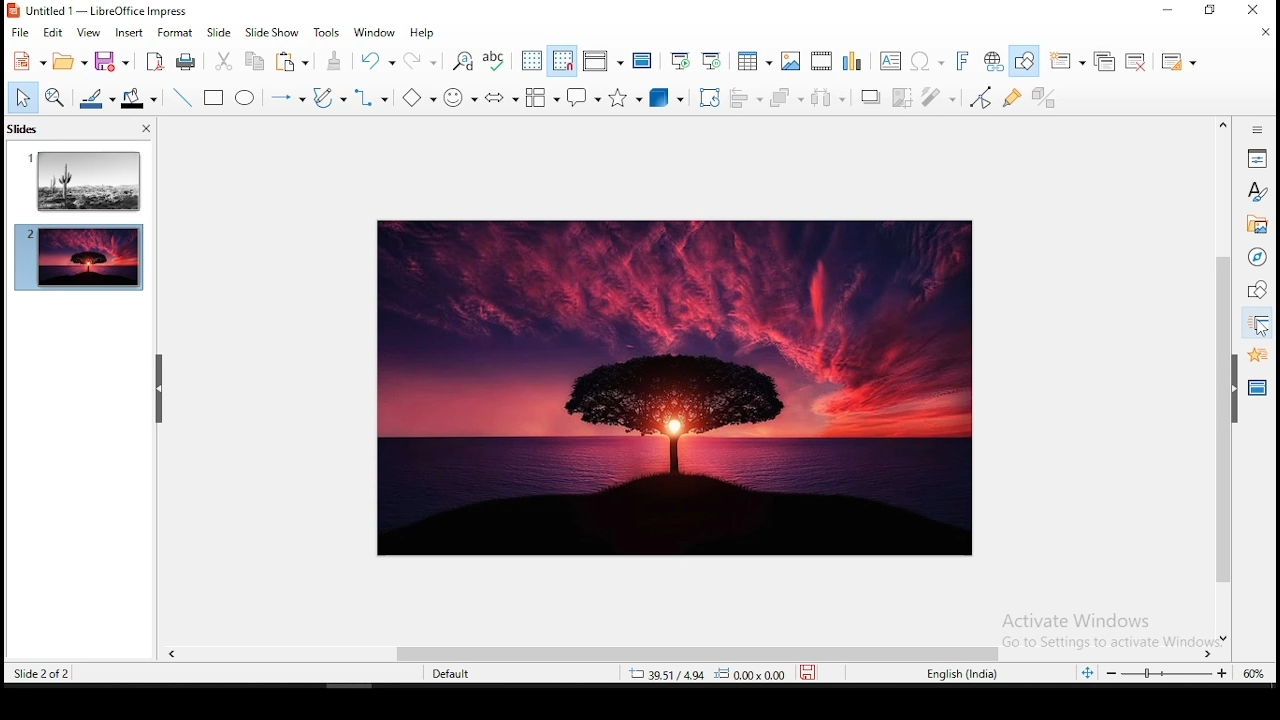  I want to click on select tool, so click(25, 98).